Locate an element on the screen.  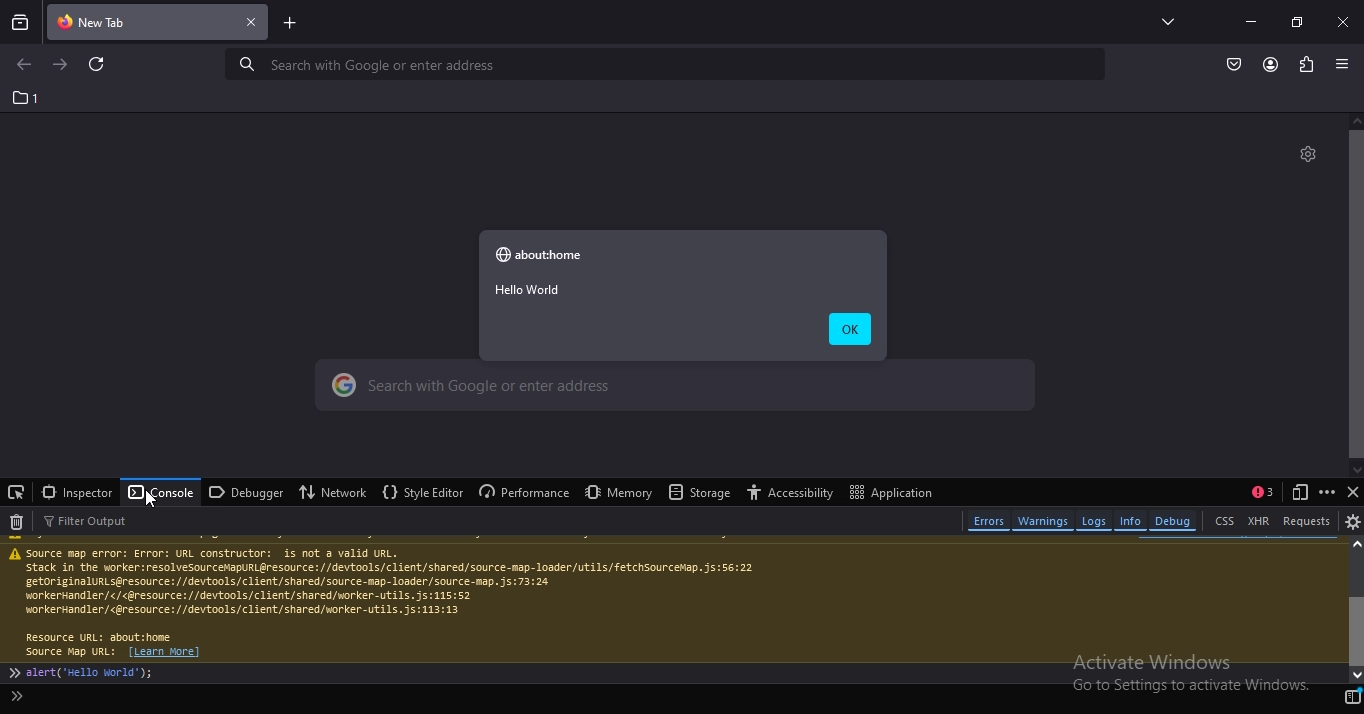
text is located at coordinates (672, 599).